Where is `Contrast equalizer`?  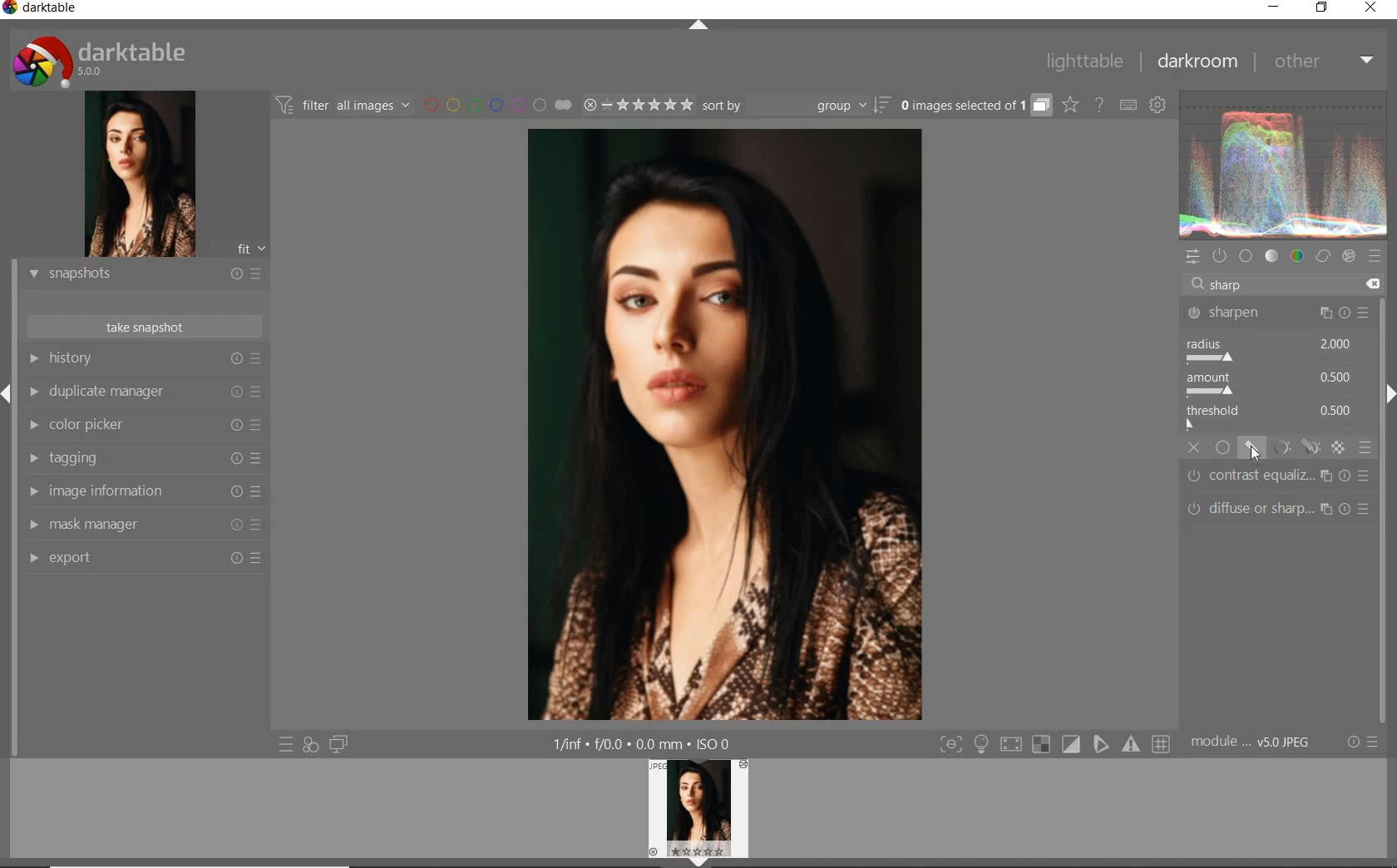
Contrast equalizer is located at coordinates (1276, 476).